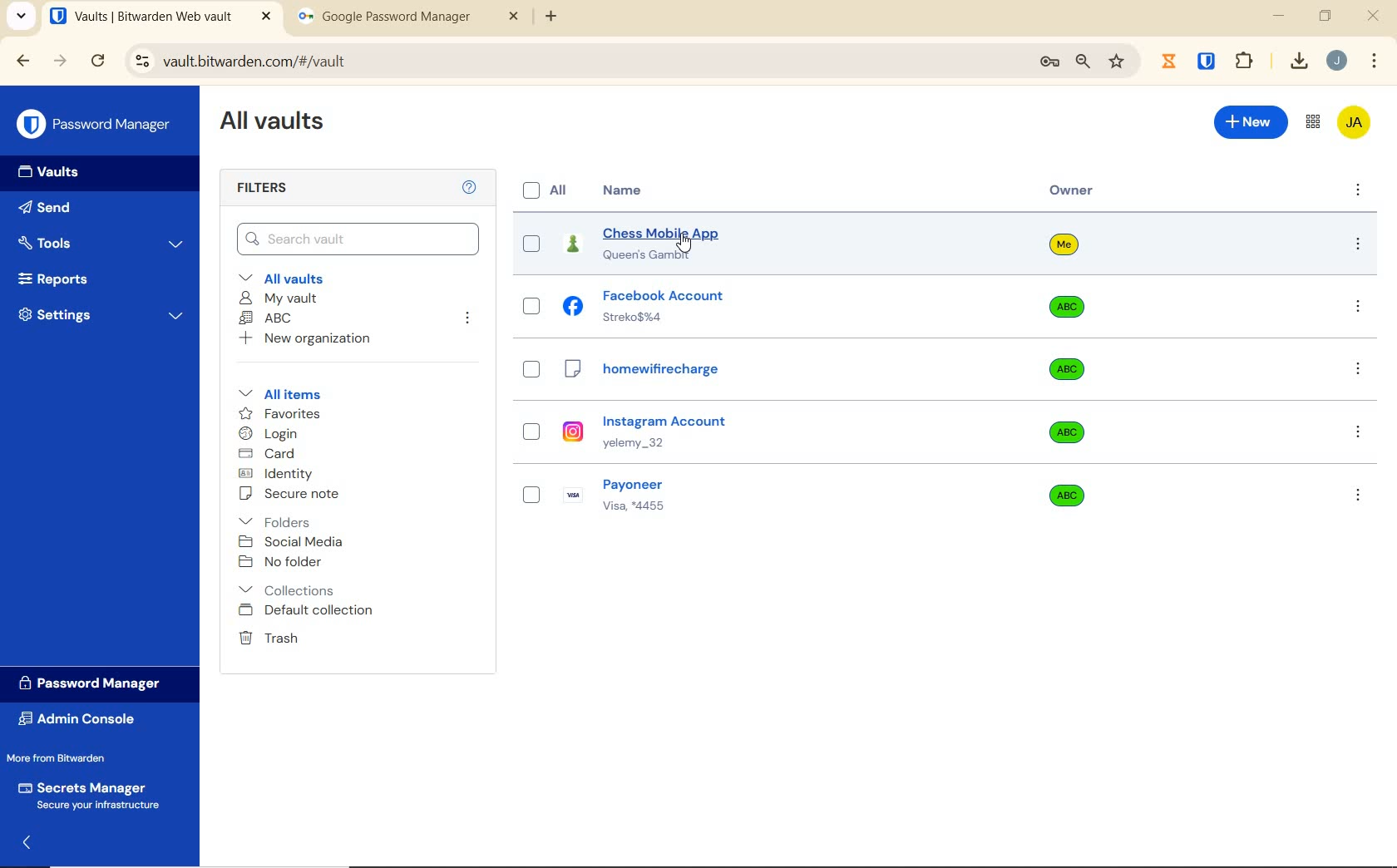 The height and width of the screenshot is (868, 1397). What do you see at coordinates (272, 434) in the screenshot?
I see `login` at bounding box center [272, 434].